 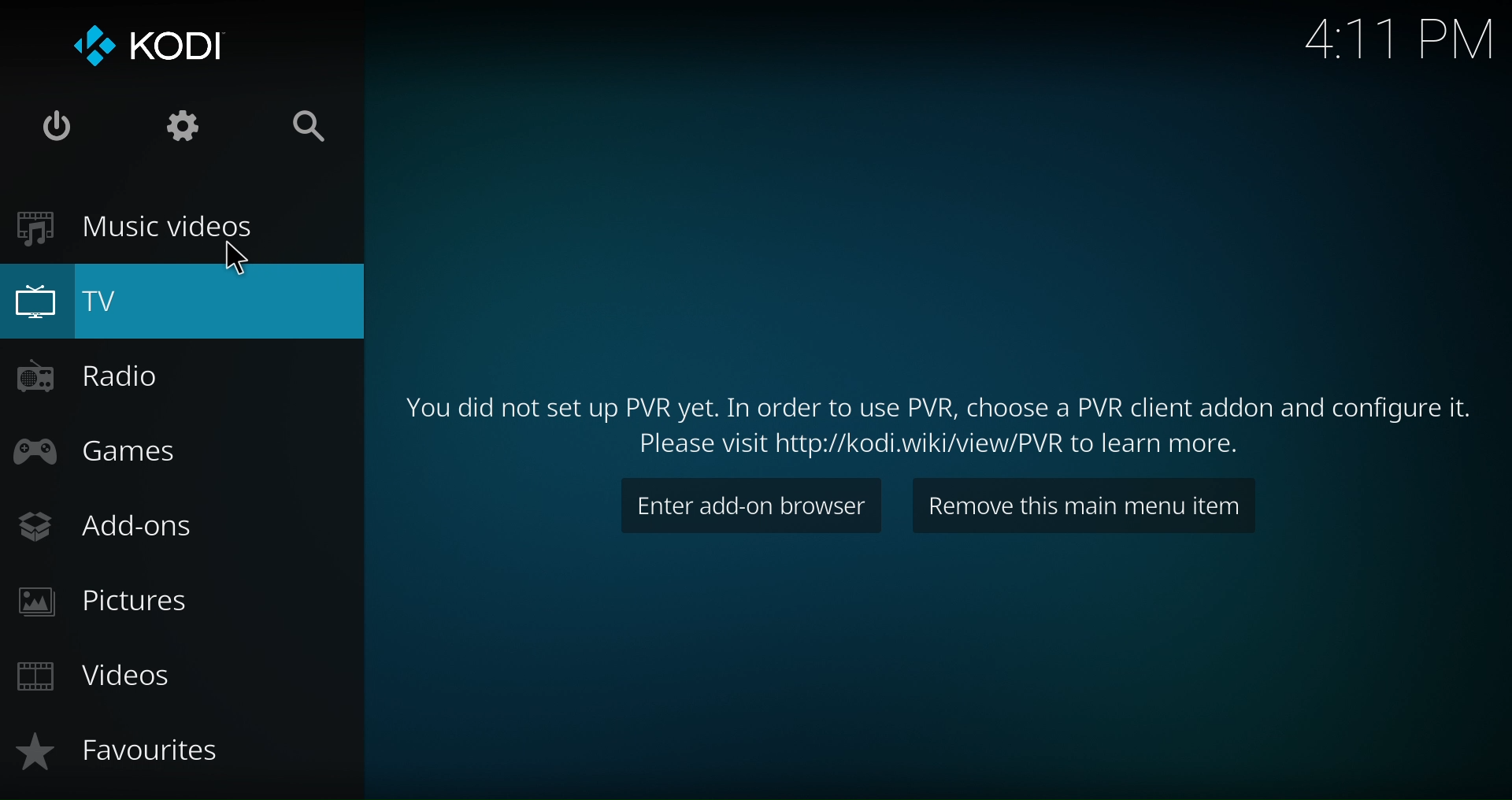 I want to click on Videos, so click(x=181, y=675).